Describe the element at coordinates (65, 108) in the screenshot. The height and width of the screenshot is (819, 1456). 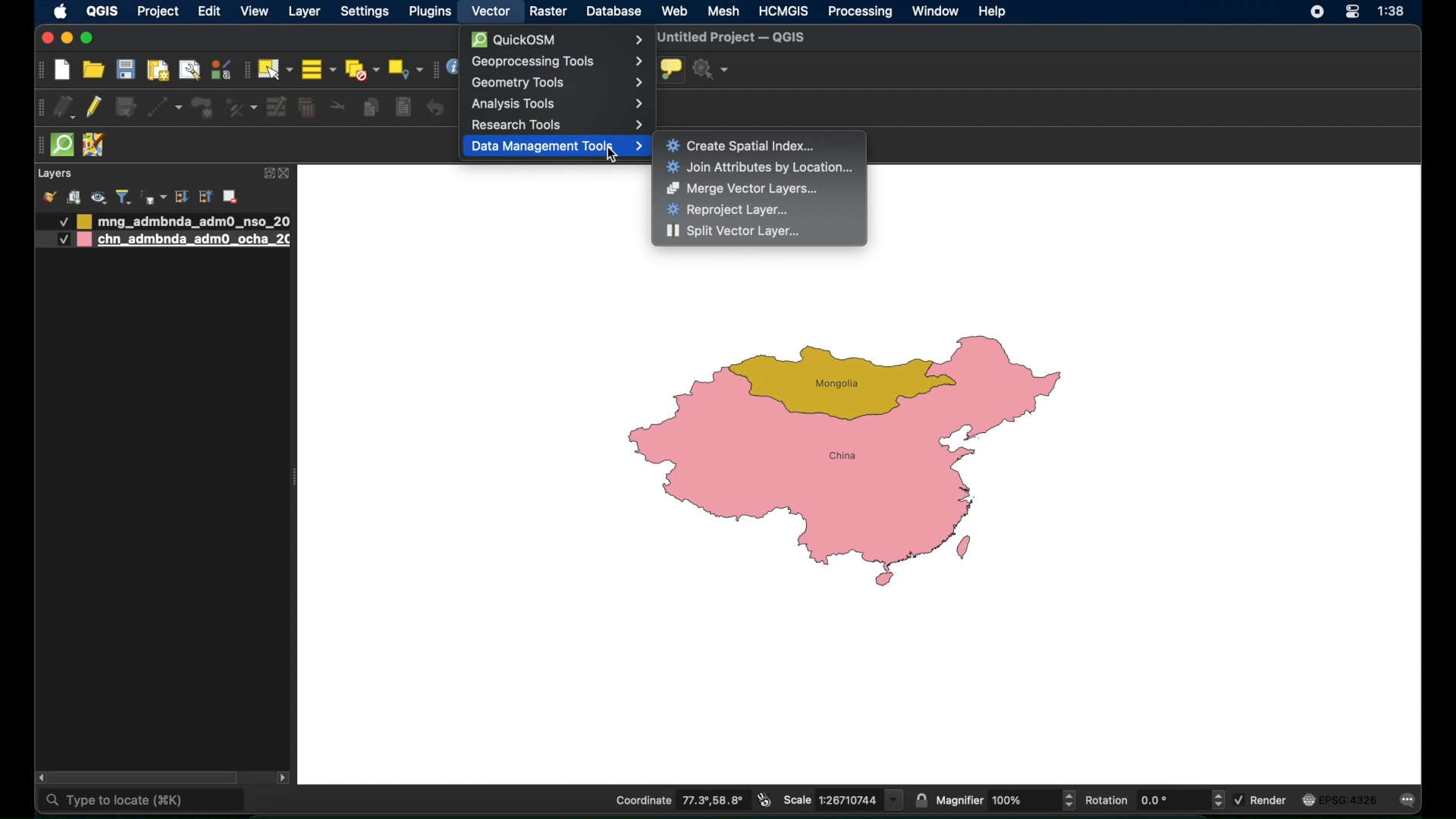
I see `current edits` at that location.